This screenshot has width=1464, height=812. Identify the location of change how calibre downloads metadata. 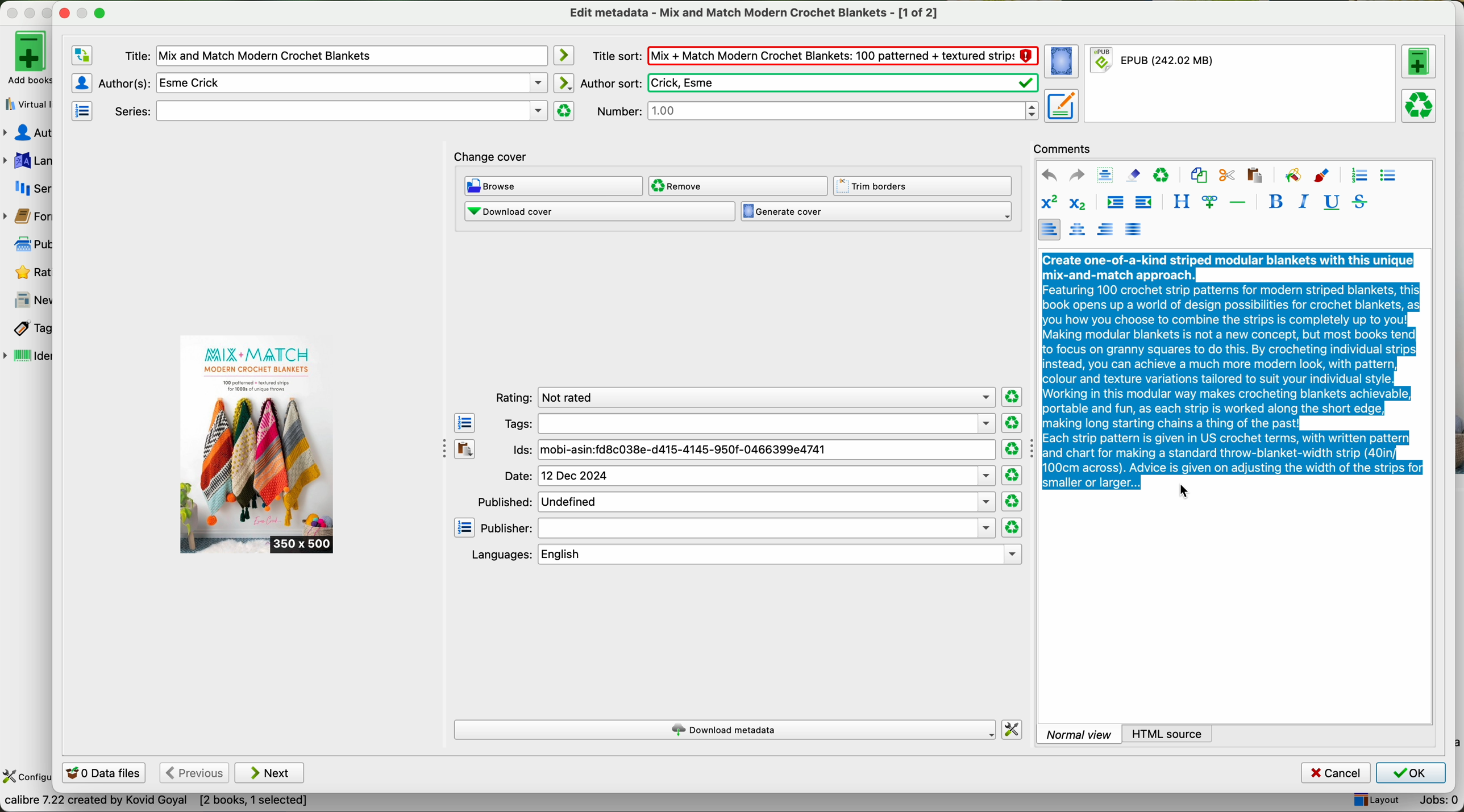
(1013, 730).